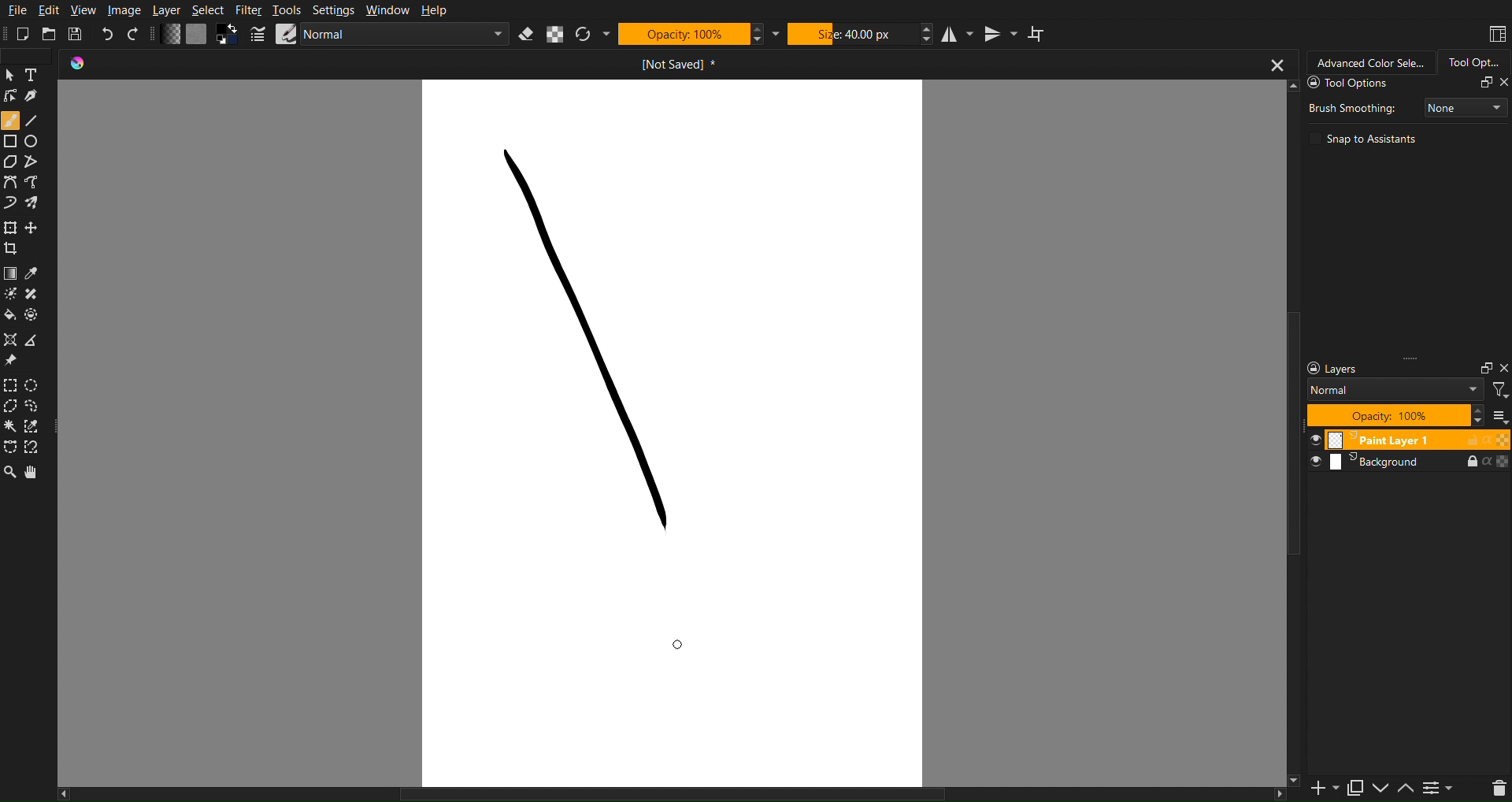 This screenshot has width=1512, height=802. Describe the element at coordinates (822, 429) in the screenshot. I see `Work Space` at that location.